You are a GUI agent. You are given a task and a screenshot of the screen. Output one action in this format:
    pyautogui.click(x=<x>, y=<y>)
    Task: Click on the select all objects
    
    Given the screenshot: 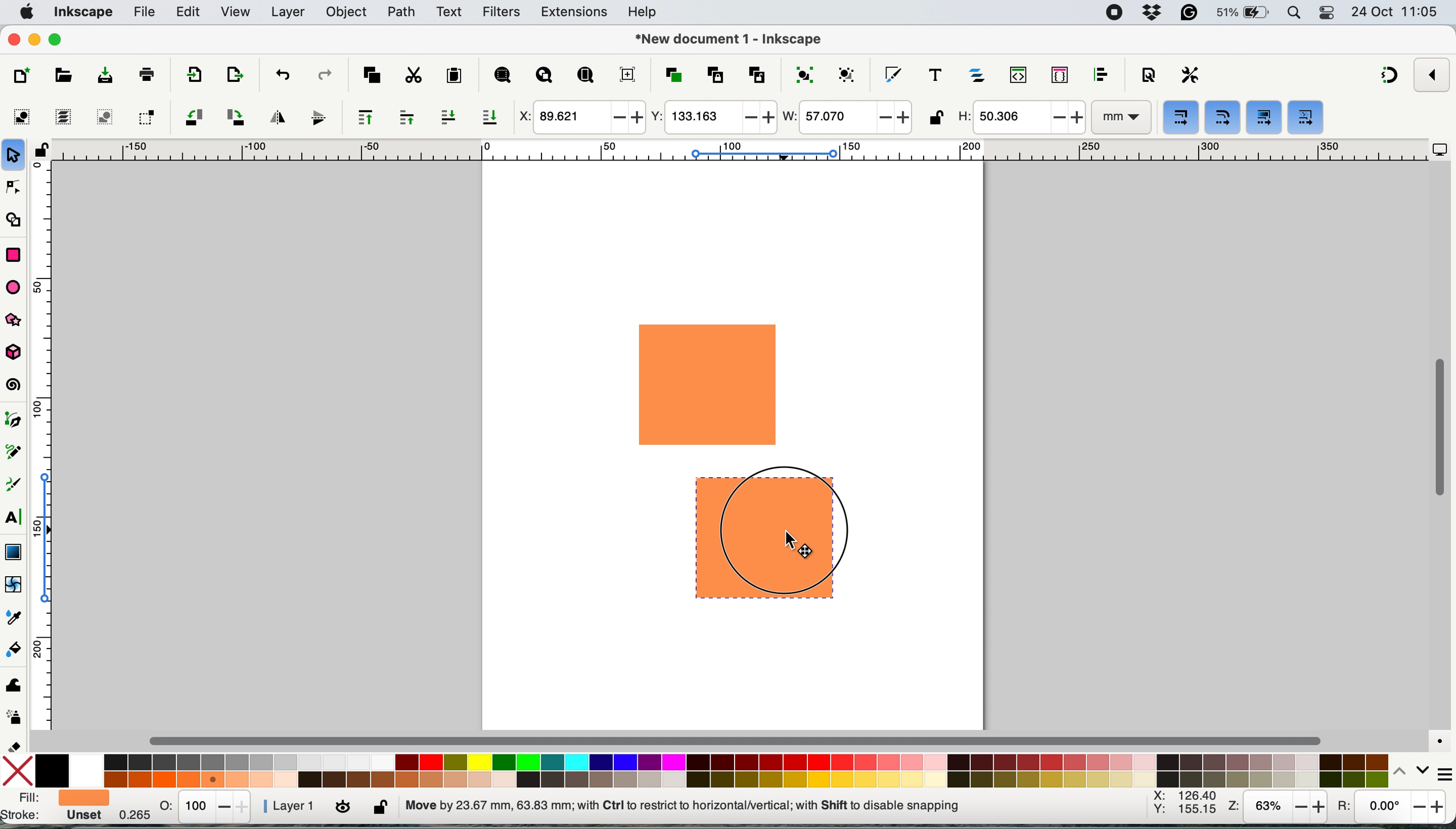 What is the action you would take?
    pyautogui.click(x=25, y=117)
    